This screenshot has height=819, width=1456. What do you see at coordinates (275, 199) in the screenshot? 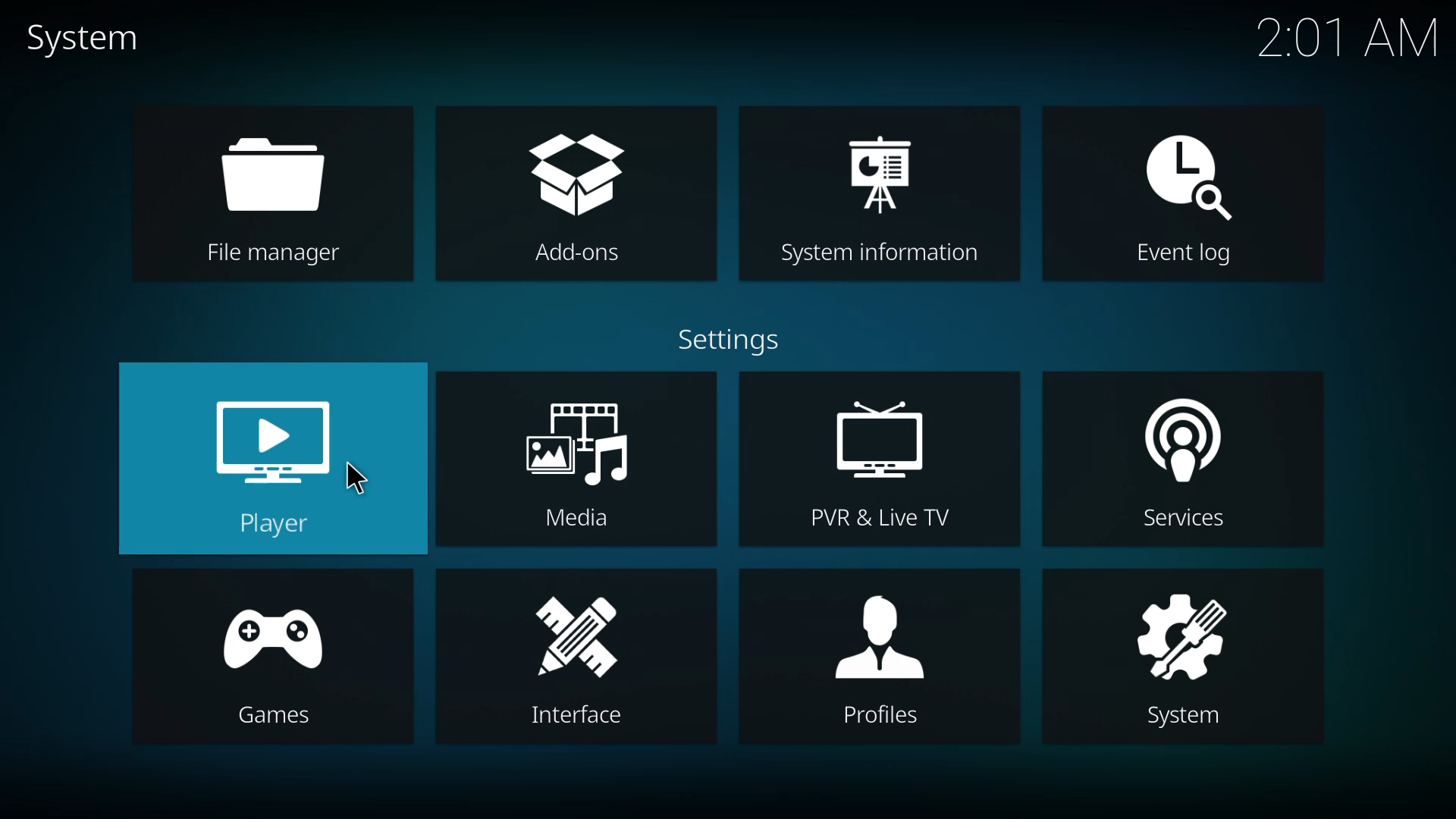
I see `file manager` at bounding box center [275, 199].